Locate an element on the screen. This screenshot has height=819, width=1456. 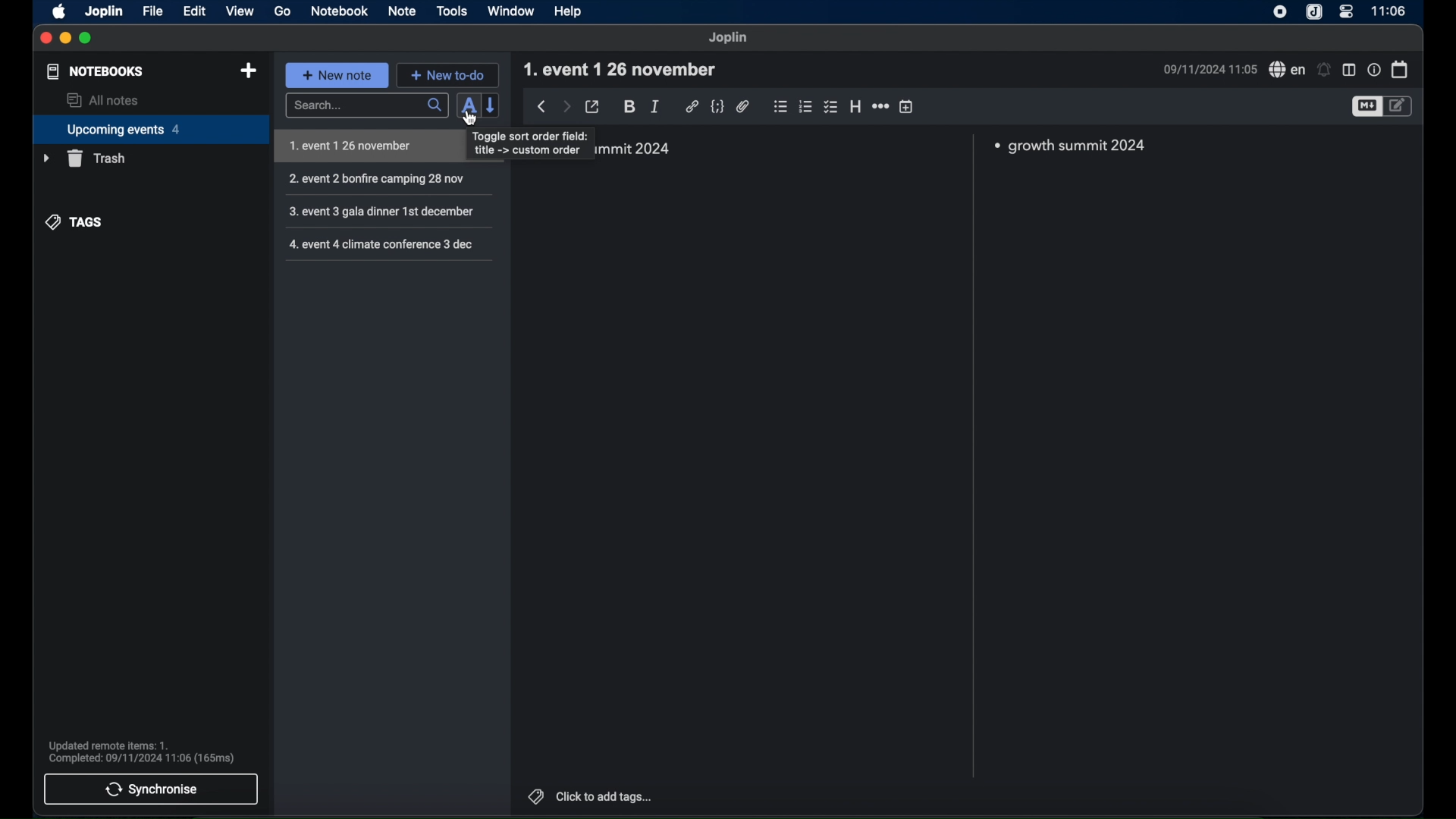
toggle editor  layout is located at coordinates (1349, 71).